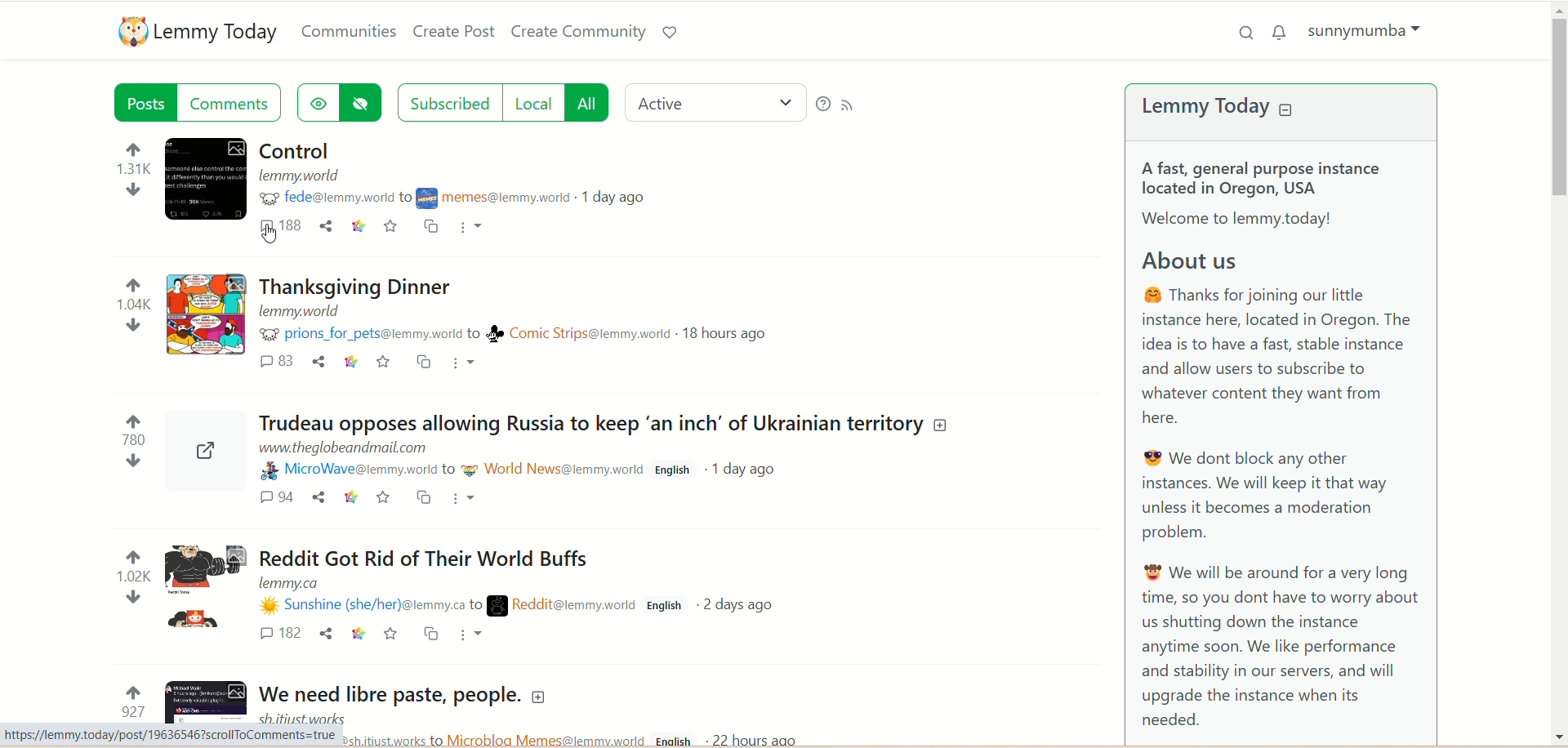  What do you see at coordinates (604, 424) in the screenshot?
I see `Post on "Trudeau opposes allowing Russia to keep ‘an inch’ of Ukrainian territory"` at bounding box center [604, 424].